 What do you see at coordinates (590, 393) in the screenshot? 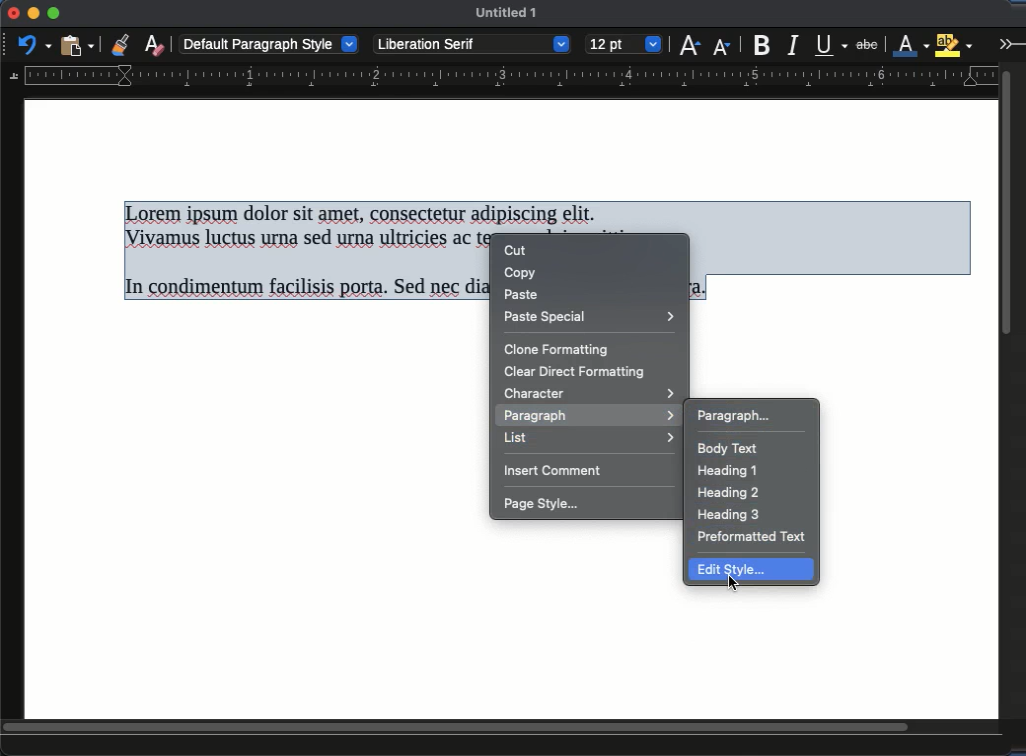
I see `character` at bounding box center [590, 393].